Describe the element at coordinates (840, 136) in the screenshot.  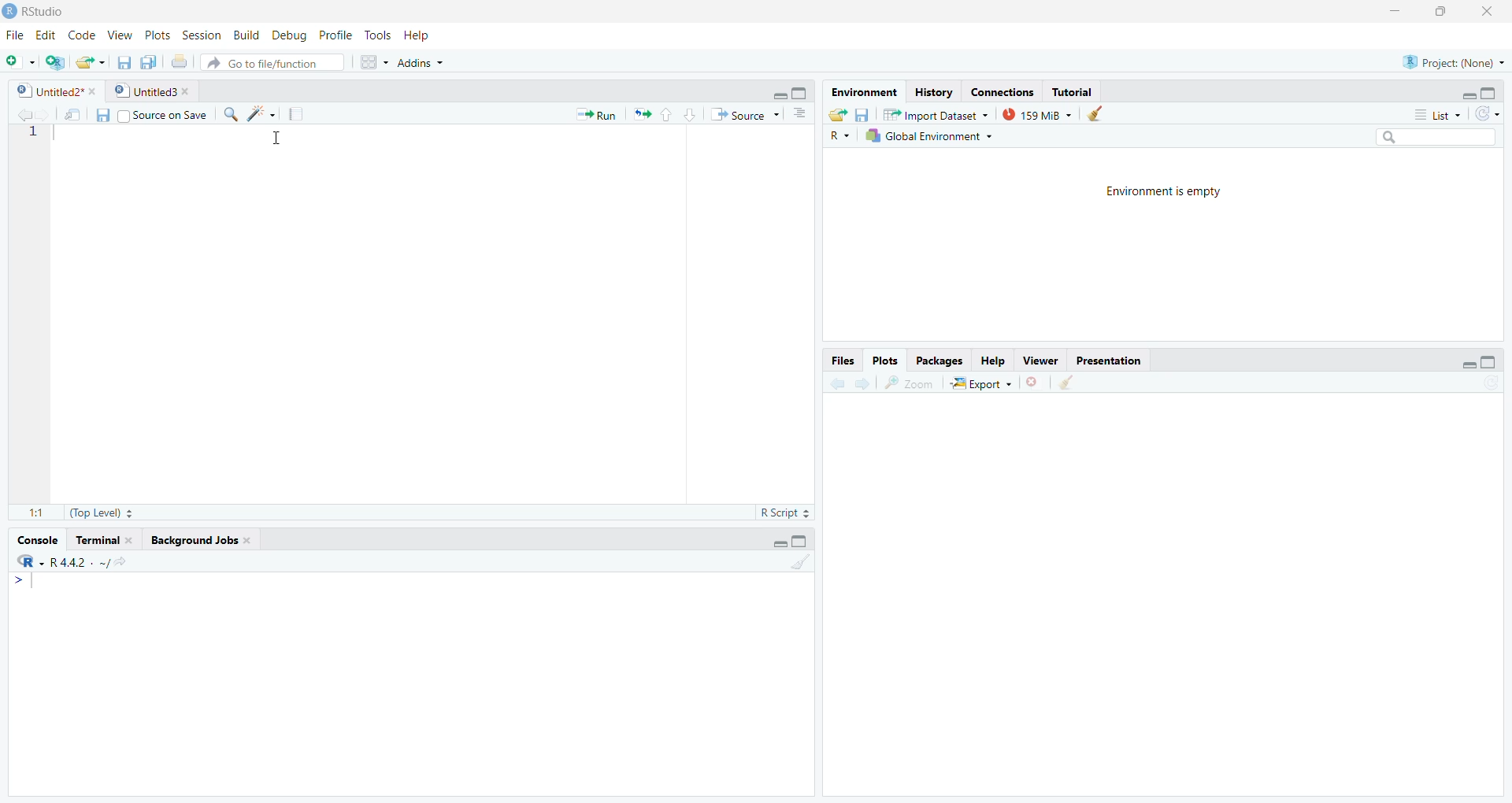
I see `R` at that location.